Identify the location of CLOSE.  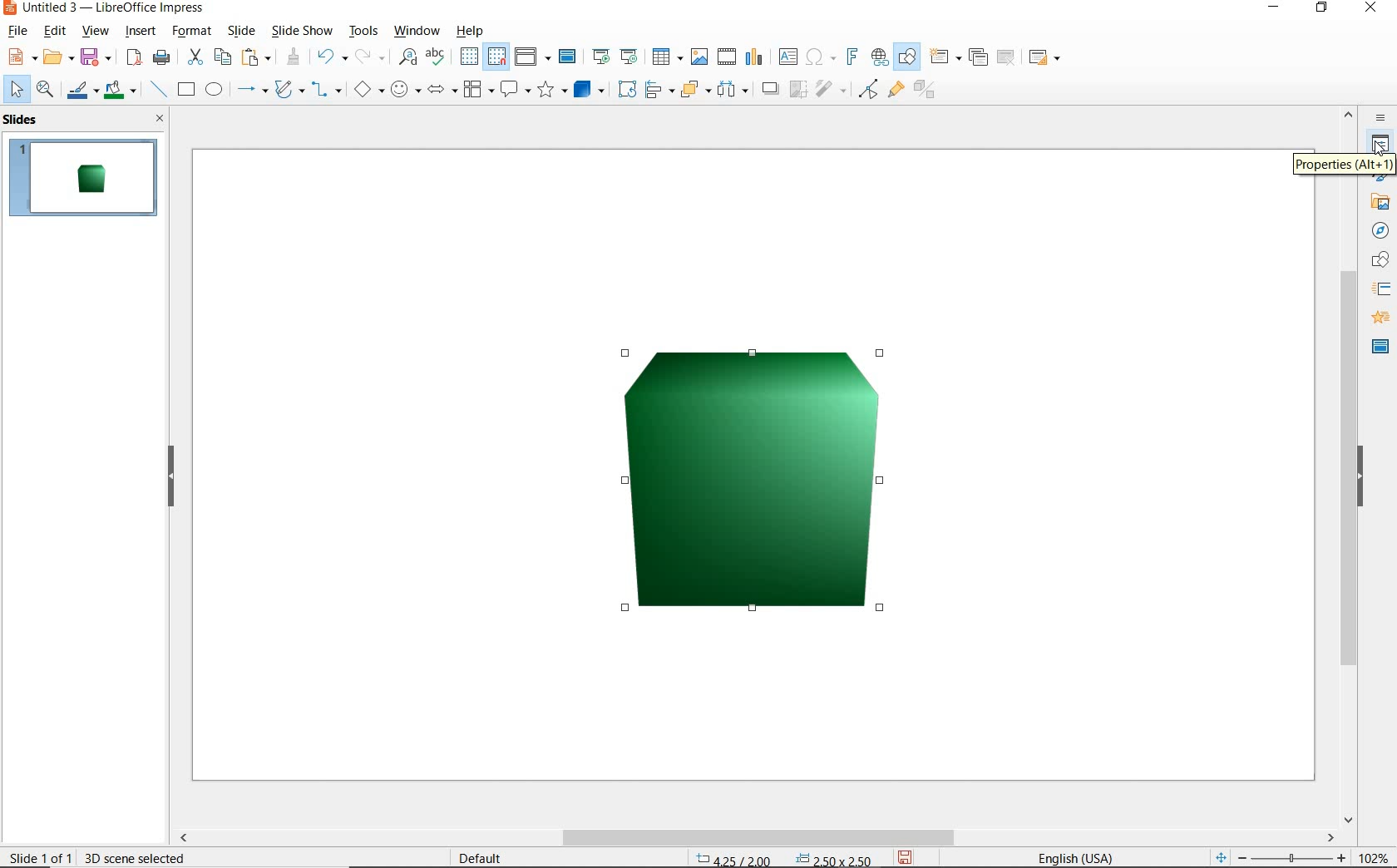
(161, 120).